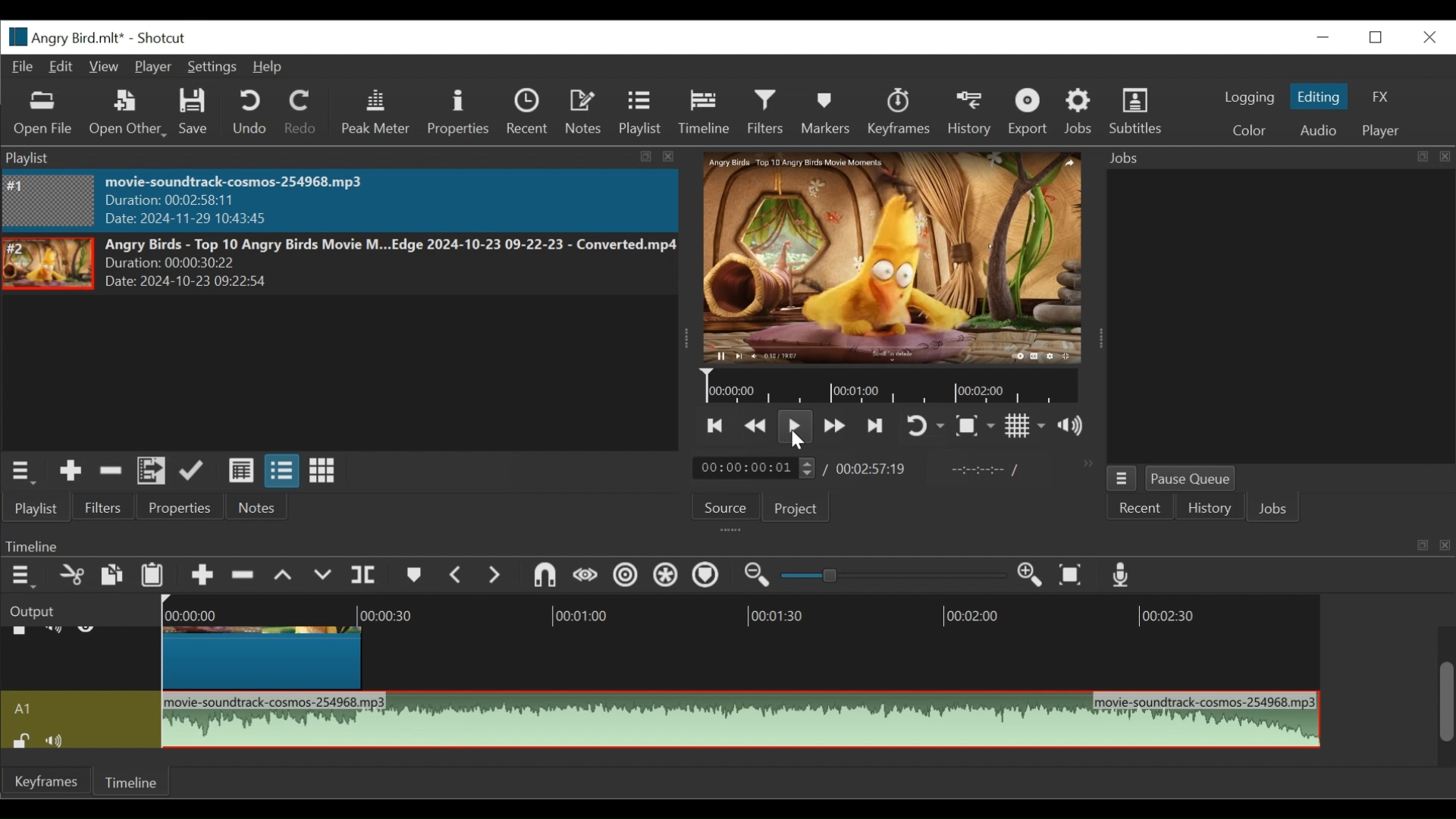  What do you see at coordinates (758, 426) in the screenshot?
I see `Play quickly backward` at bounding box center [758, 426].